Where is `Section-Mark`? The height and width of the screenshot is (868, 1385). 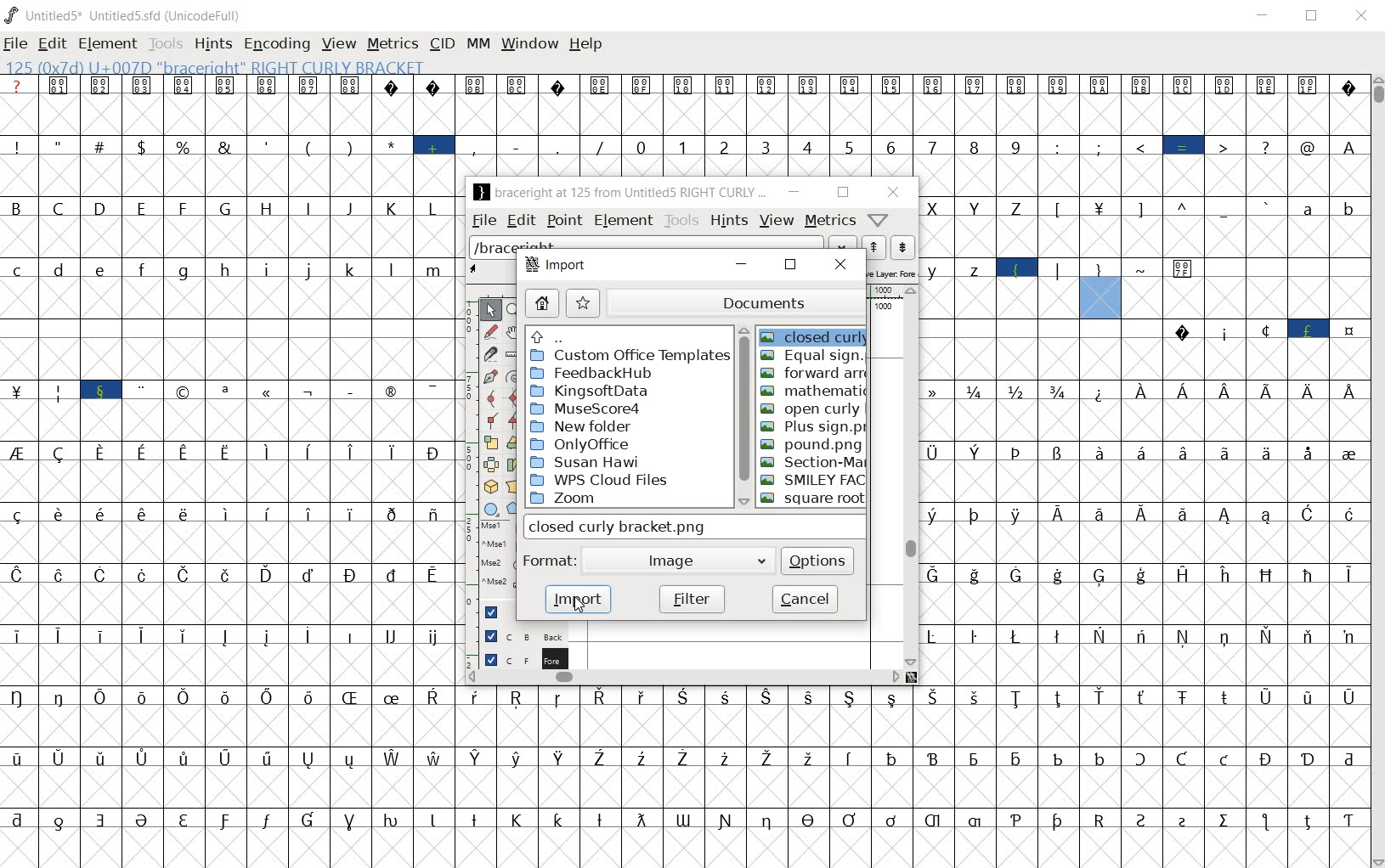
Section-Mark is located at coordinates (813, 463).